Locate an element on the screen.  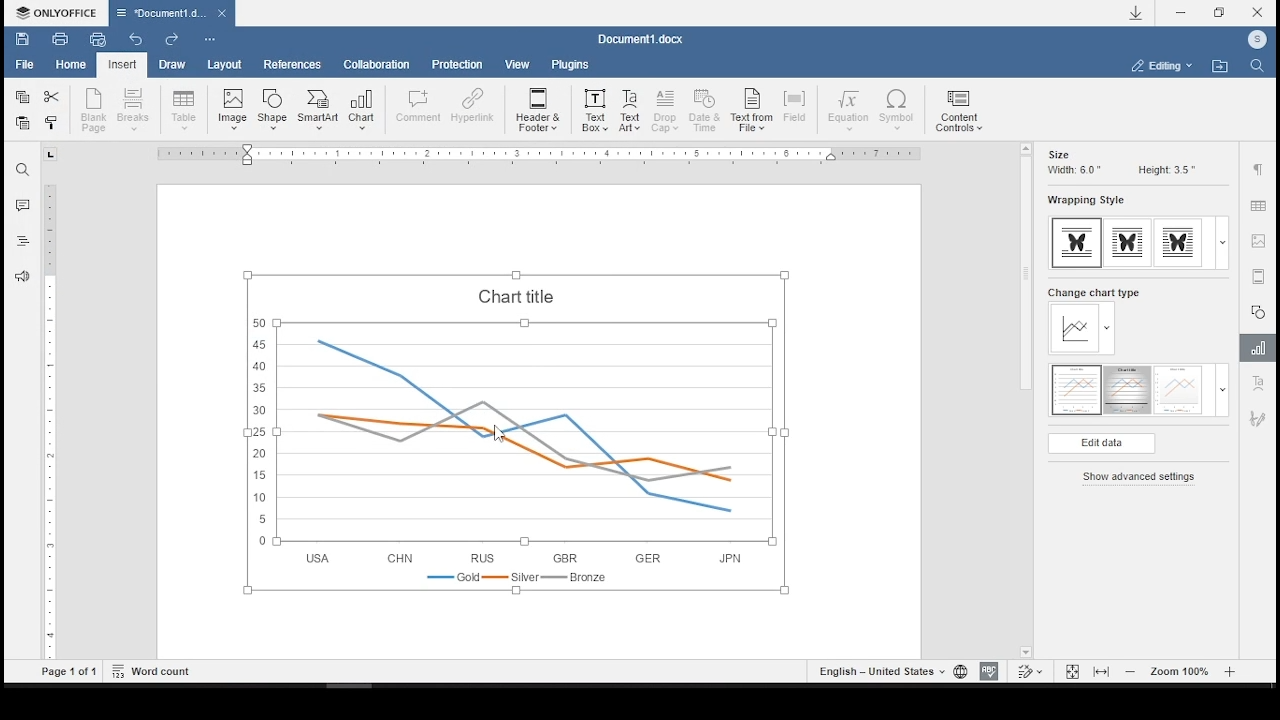
home is located at coordinates (72, 65).